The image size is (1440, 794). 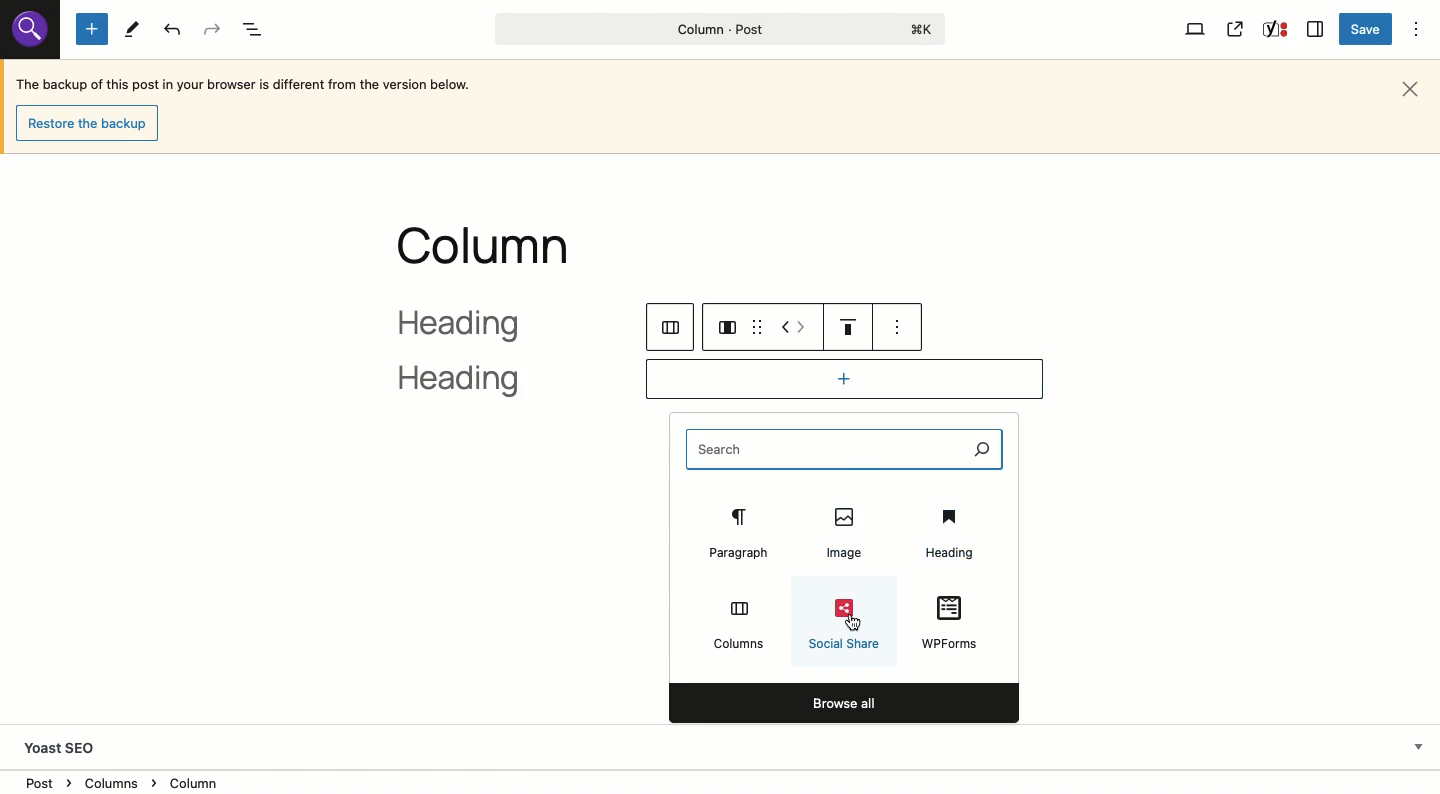 I want to click on Heading, so click(x=954, y=530).